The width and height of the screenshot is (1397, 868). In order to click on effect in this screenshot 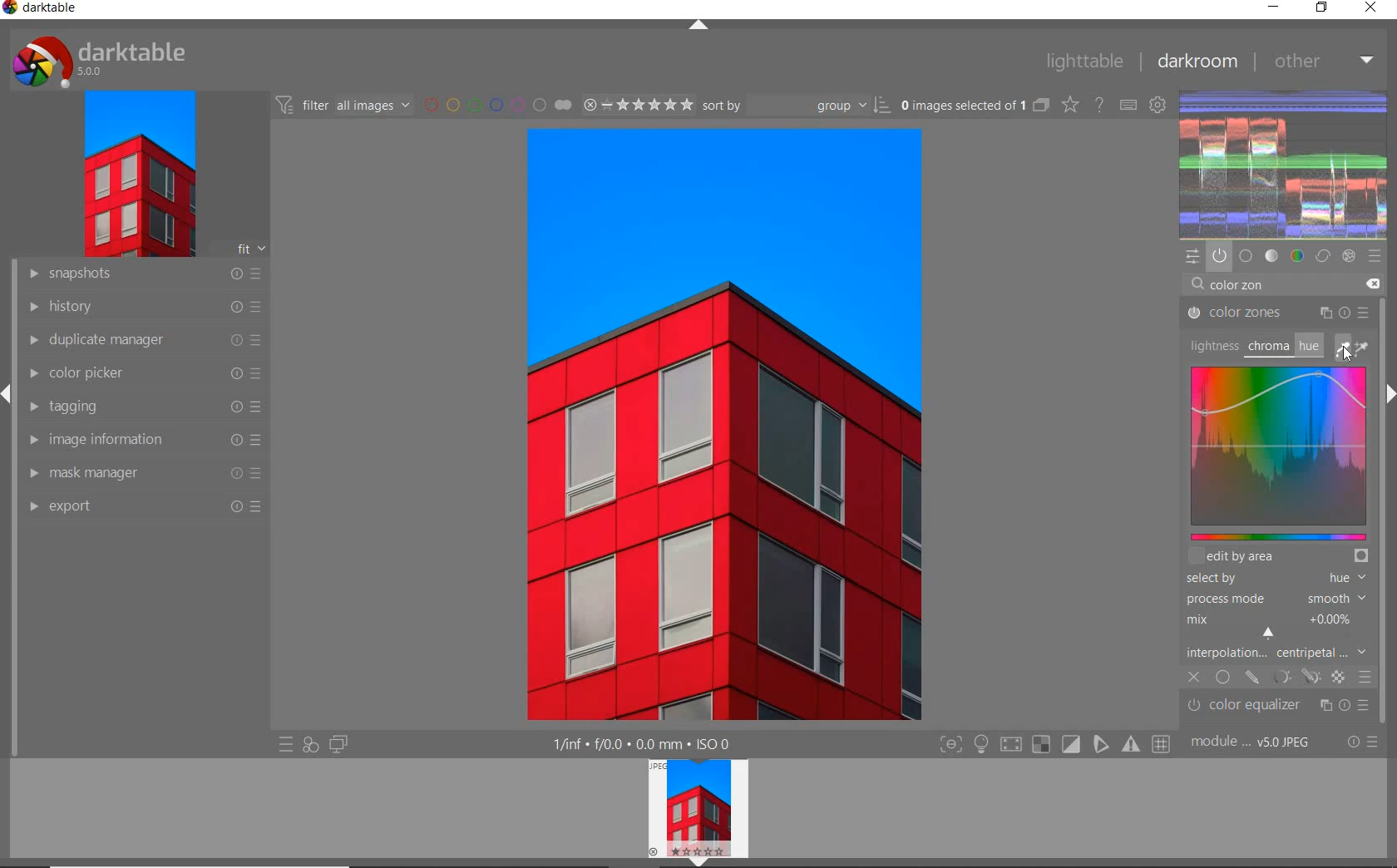, I will do `click(1350, 256)`.